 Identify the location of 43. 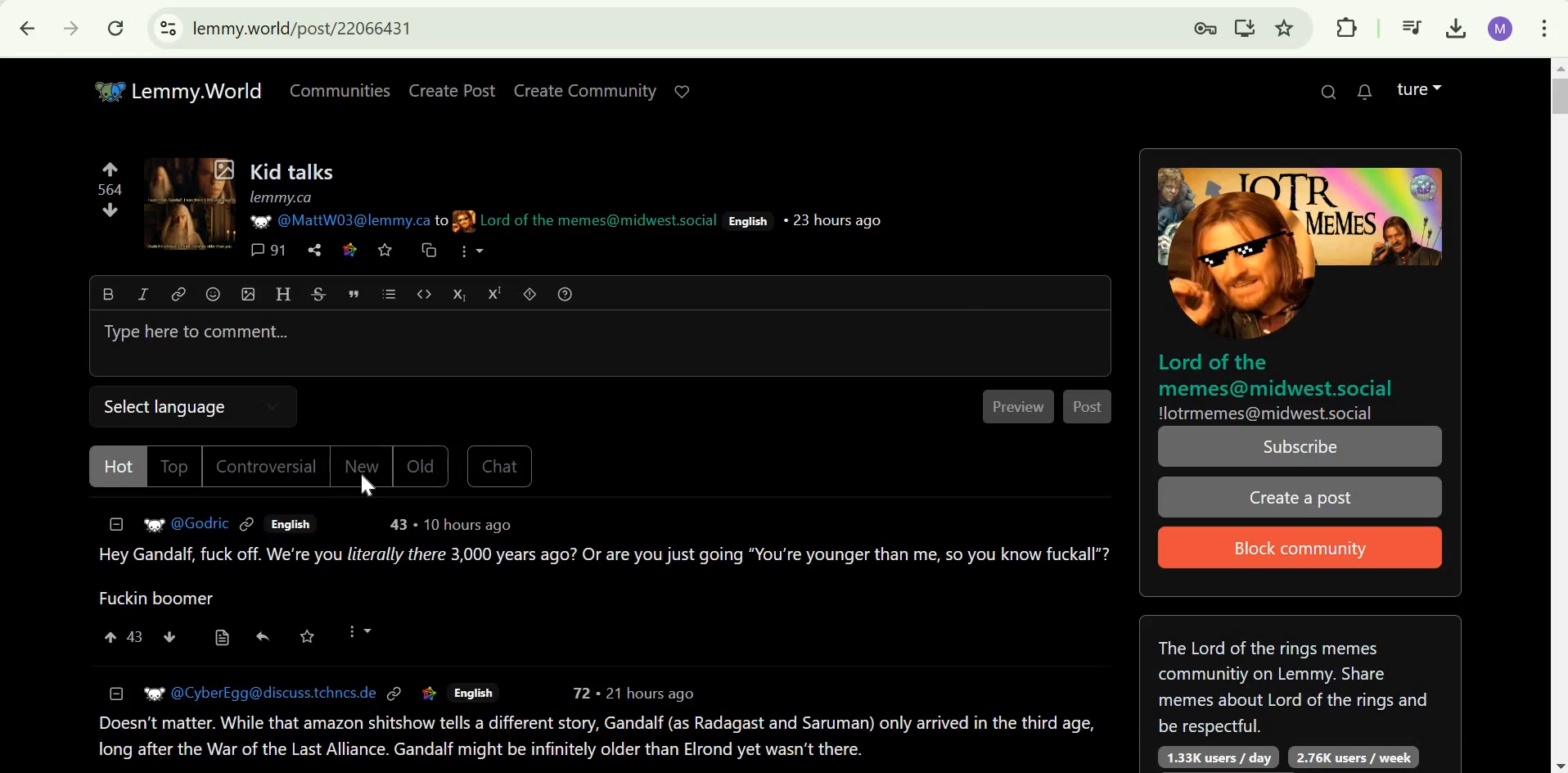
(403, 524).